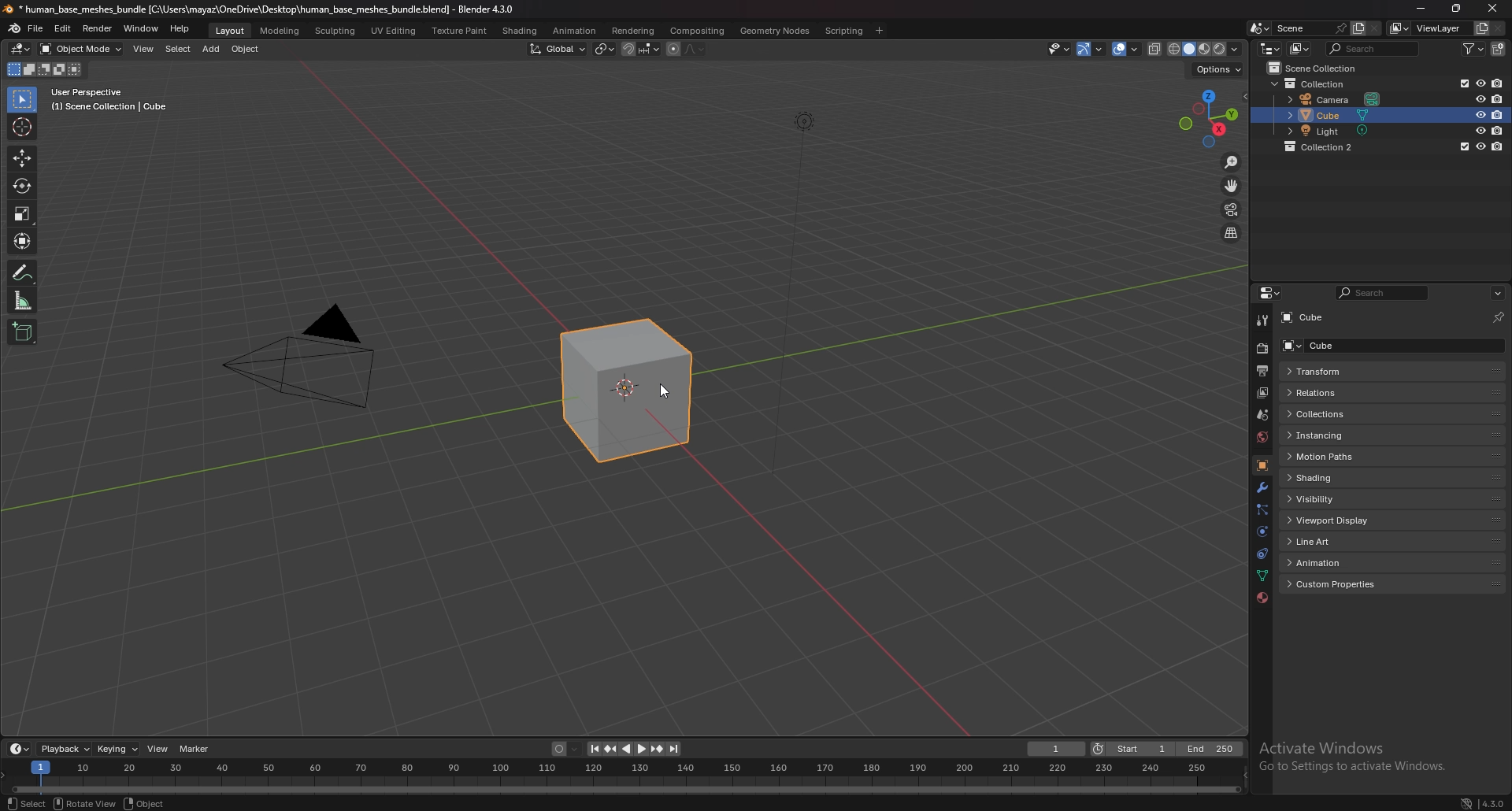  I want to click on jump to endpoint, so click(676, 750).